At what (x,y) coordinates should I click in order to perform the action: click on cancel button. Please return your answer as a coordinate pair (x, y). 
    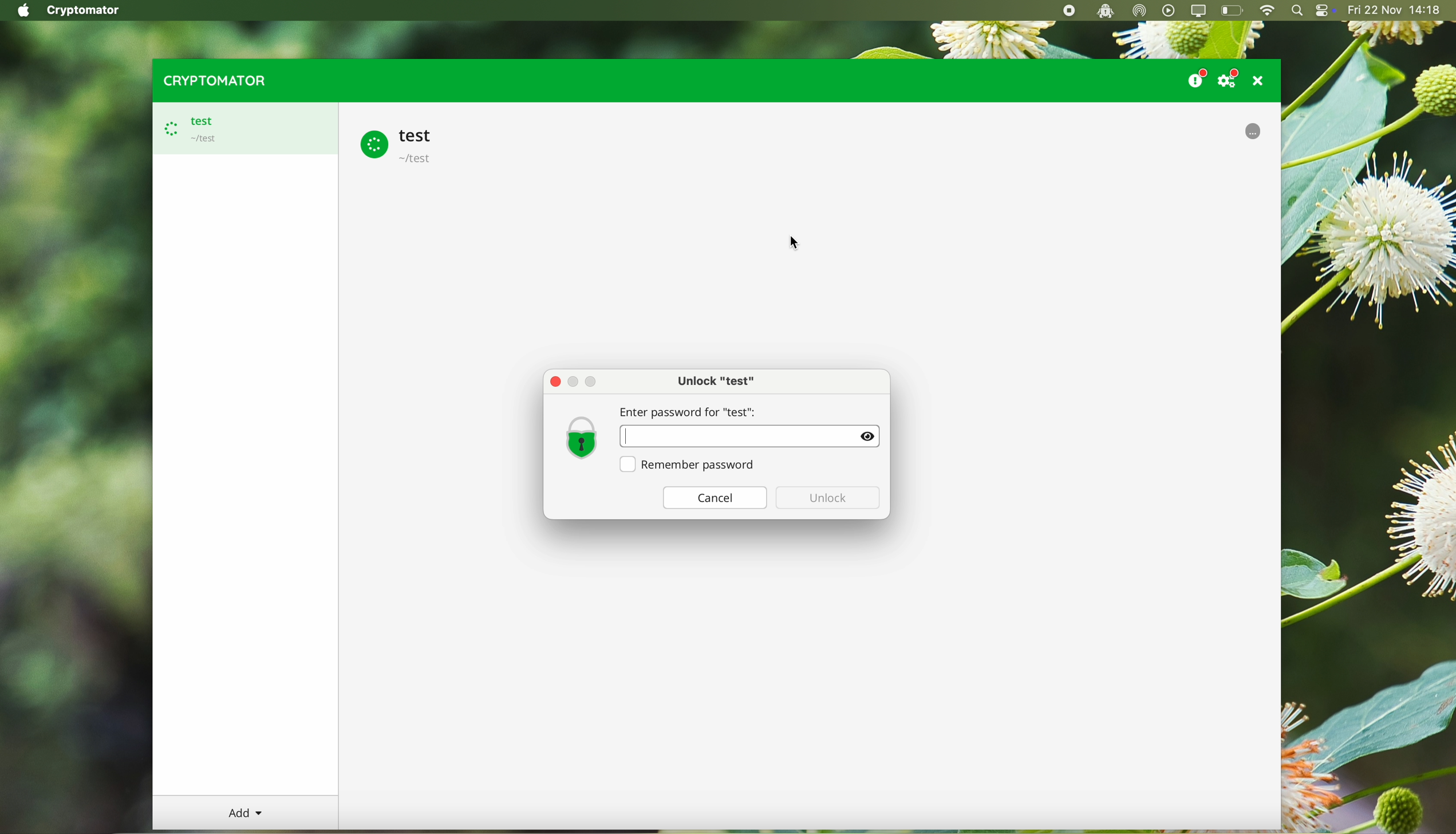
    Looking at the image, I should click on (714, 497).